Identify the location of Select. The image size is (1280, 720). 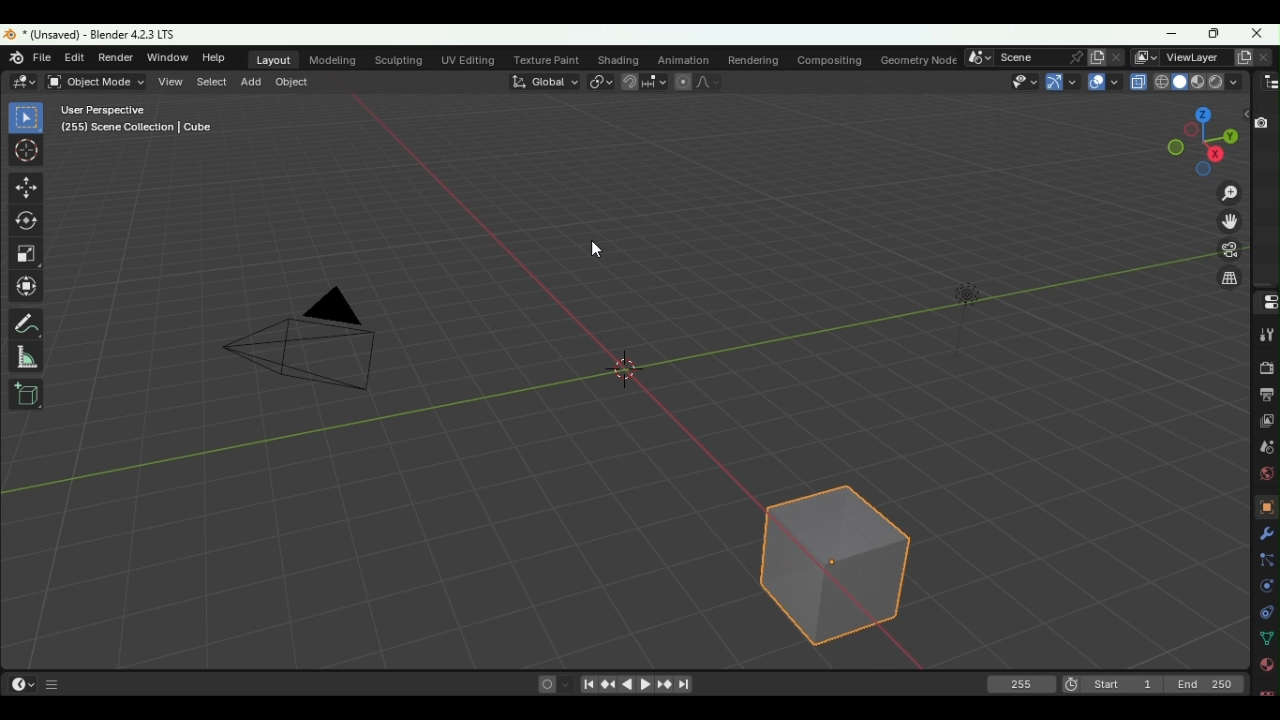
(210, 80).